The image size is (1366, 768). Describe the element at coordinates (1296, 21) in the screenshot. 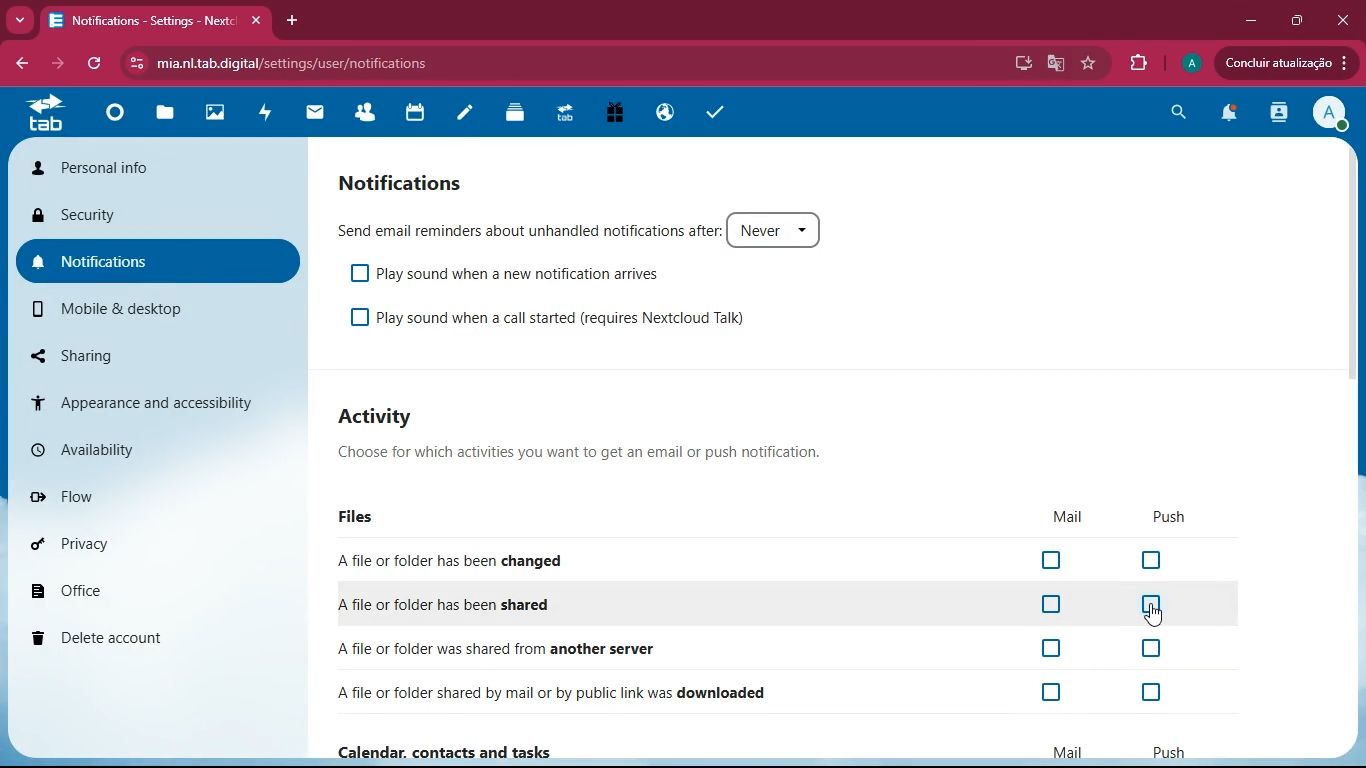

I see `maximize` at that location.